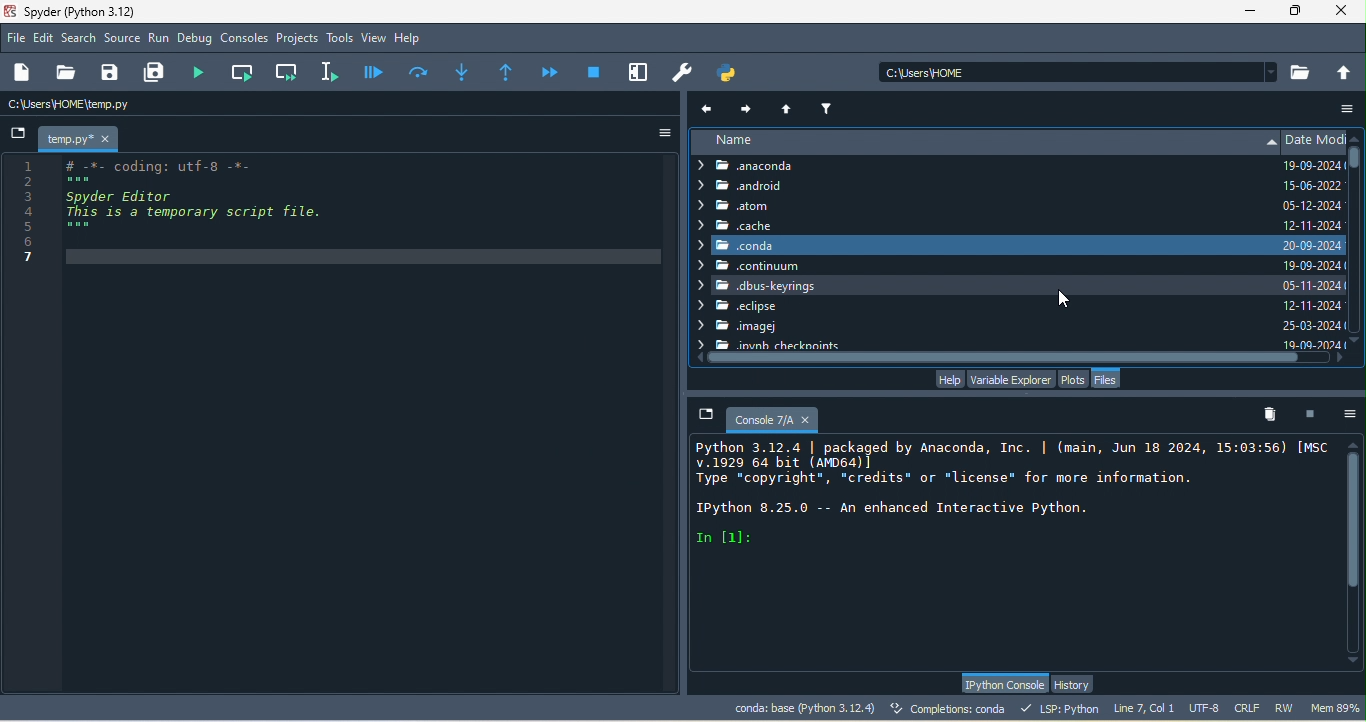  What do you see at coordinates (1344, 110) in the screenshot?
I see `menu` at bounding box center [1344, 110].